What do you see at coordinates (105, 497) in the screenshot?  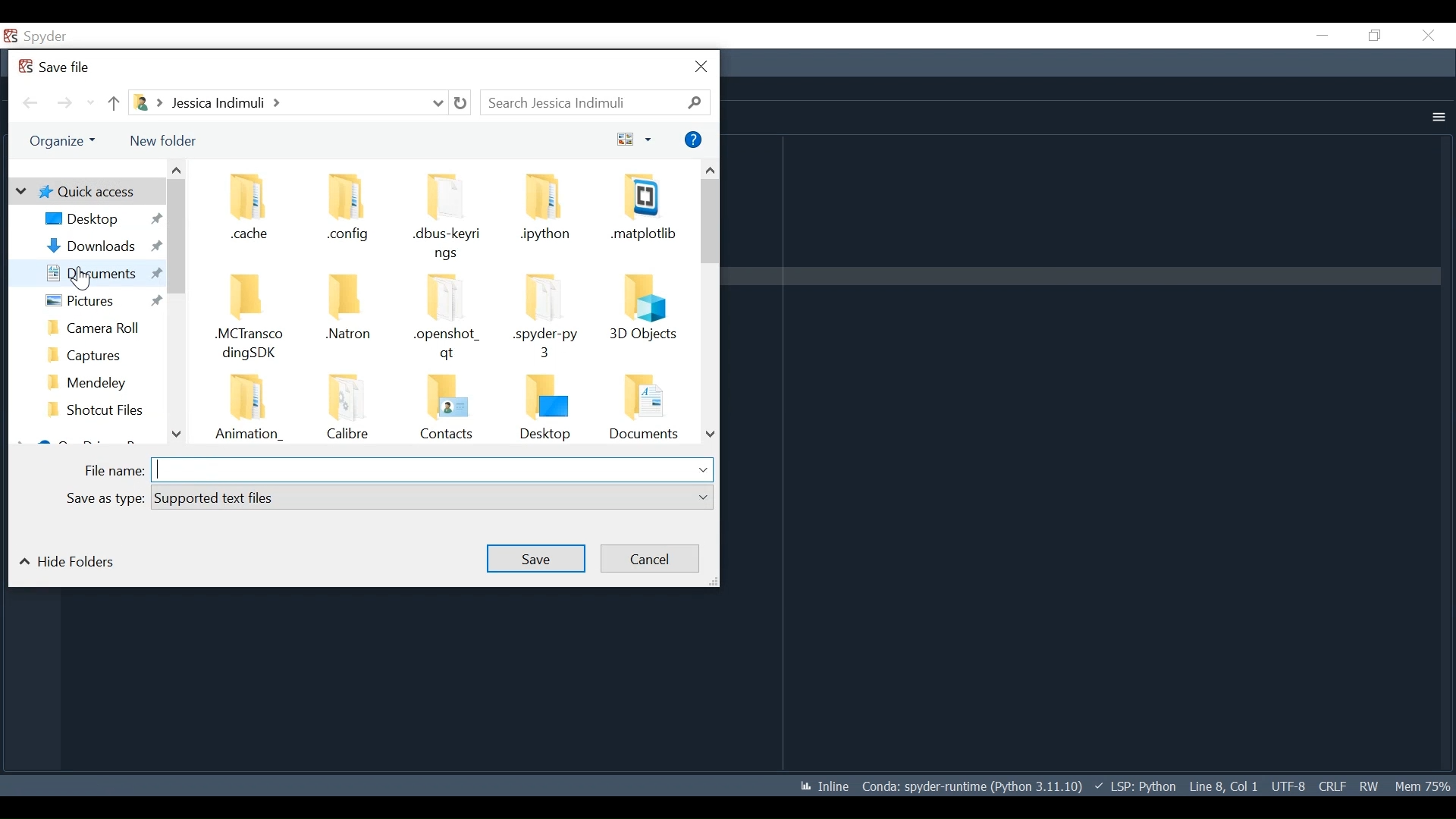 I see `Save as type` at bounding box center [105, 497].